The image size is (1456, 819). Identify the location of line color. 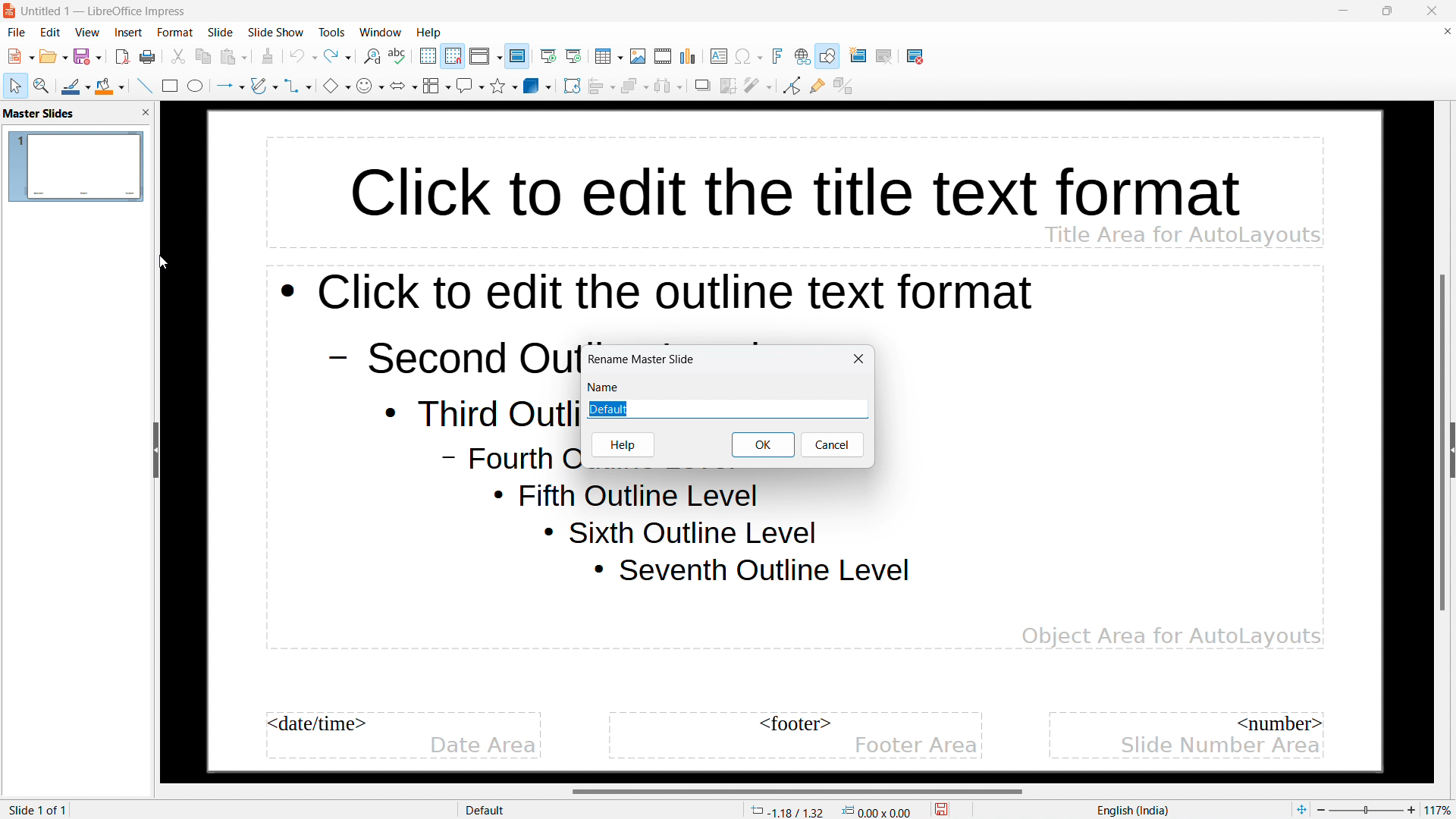
(77, 85).